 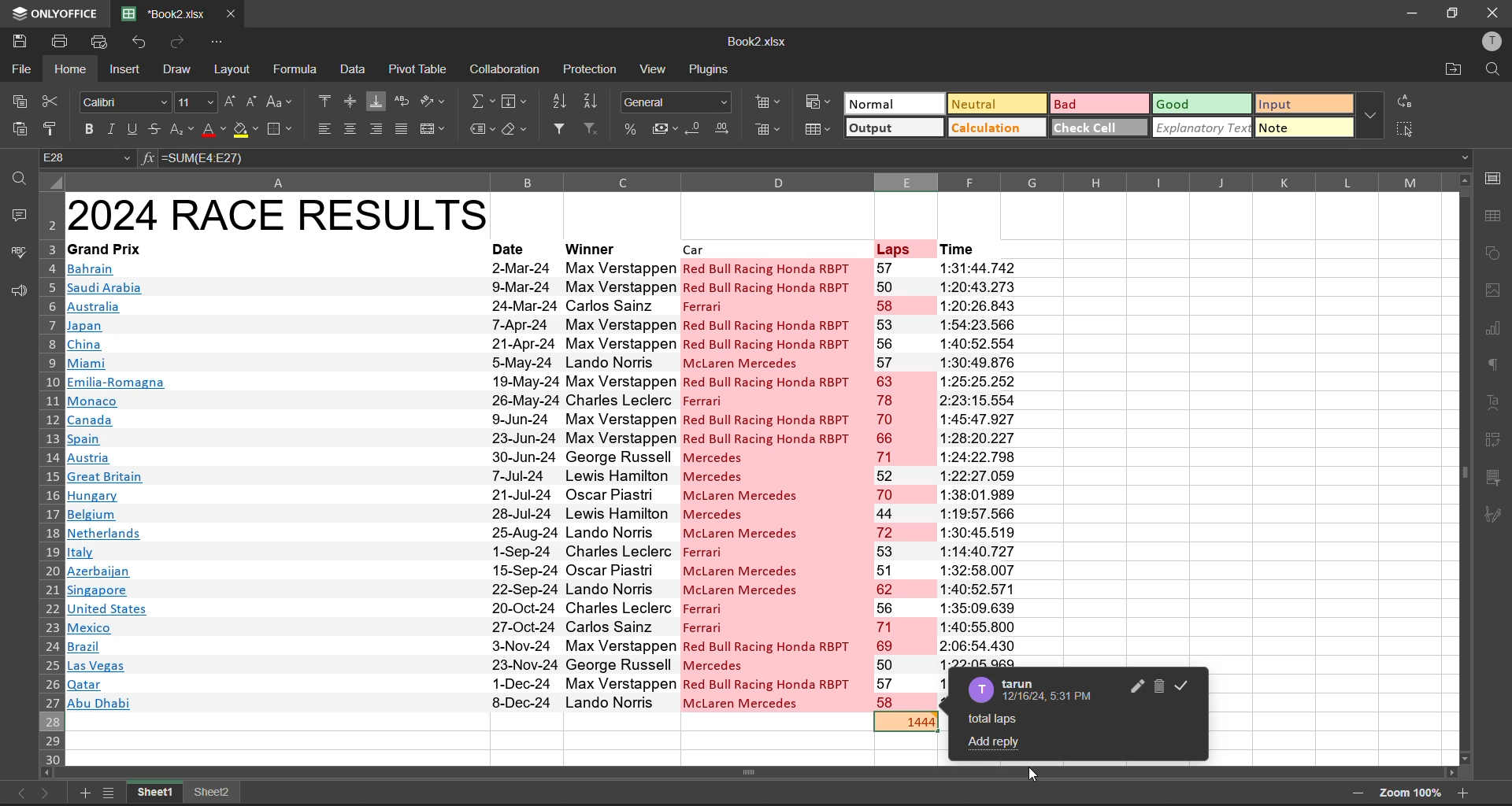 I want to click on redo, so click(x=180, y=40).